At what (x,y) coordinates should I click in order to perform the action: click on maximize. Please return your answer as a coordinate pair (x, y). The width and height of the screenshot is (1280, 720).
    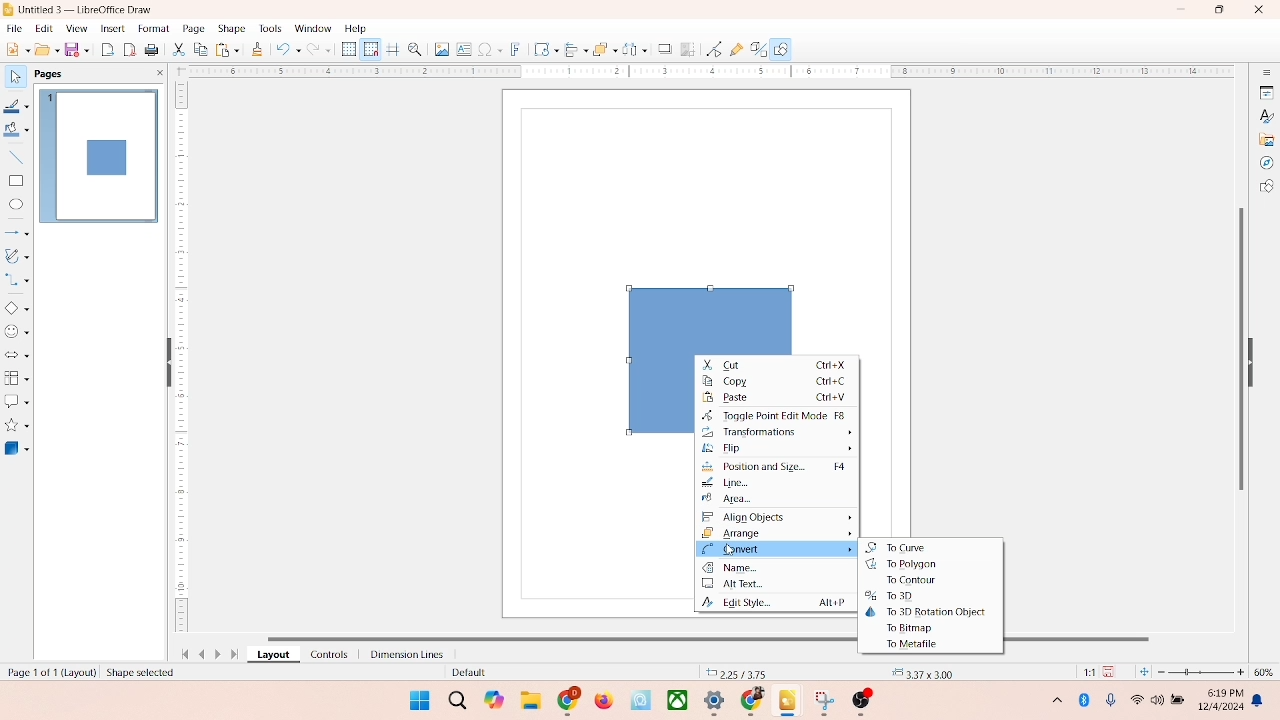
    Looking at the image, I should click on (1219, 10).